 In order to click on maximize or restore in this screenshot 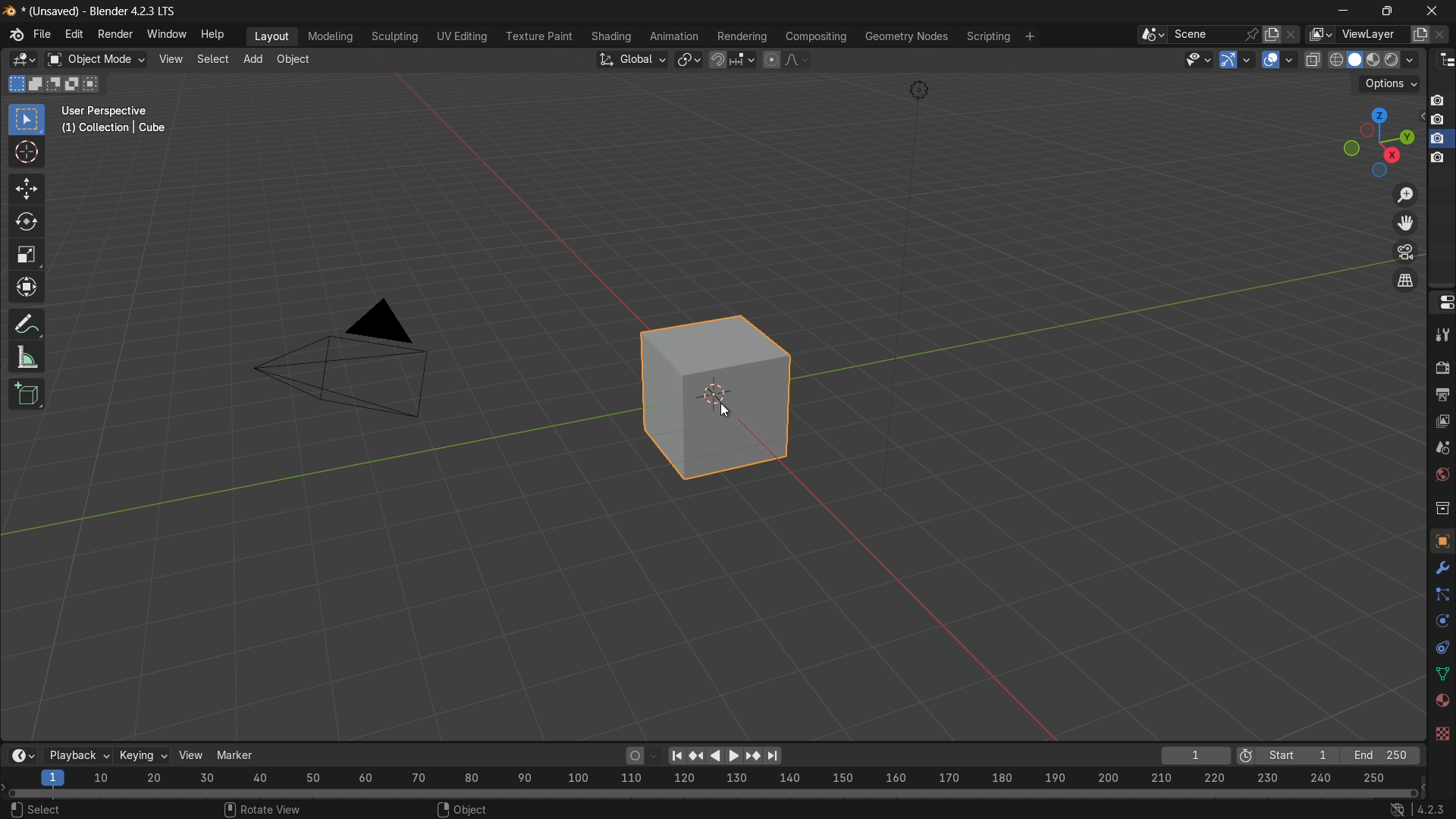, I will do `click(1386, 10)`.